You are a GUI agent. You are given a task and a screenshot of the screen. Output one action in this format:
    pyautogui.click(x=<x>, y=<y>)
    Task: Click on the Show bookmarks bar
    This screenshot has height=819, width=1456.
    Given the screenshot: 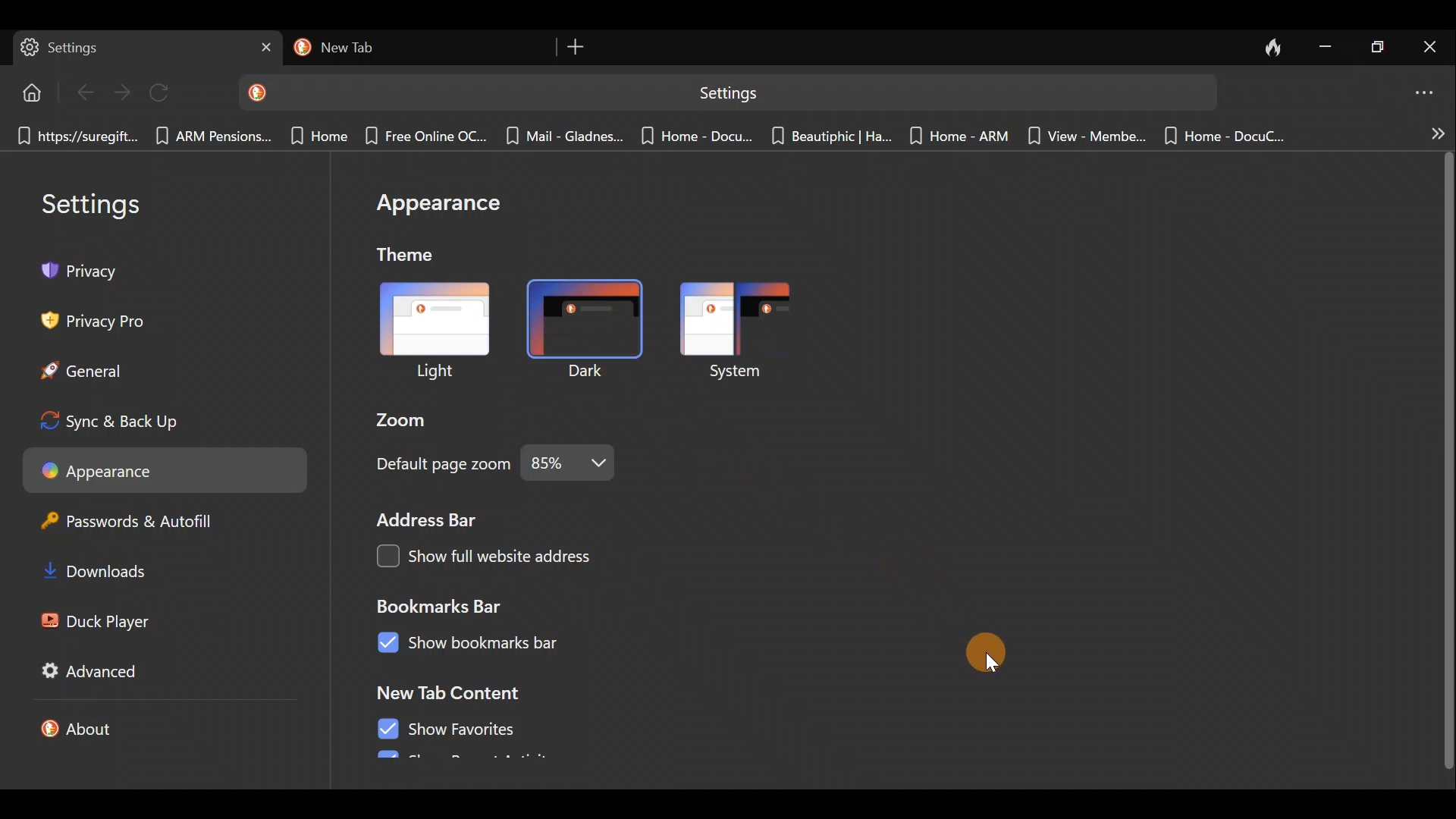 What is the action you would take?
    pyautogui.click(x=483, y=645)
    